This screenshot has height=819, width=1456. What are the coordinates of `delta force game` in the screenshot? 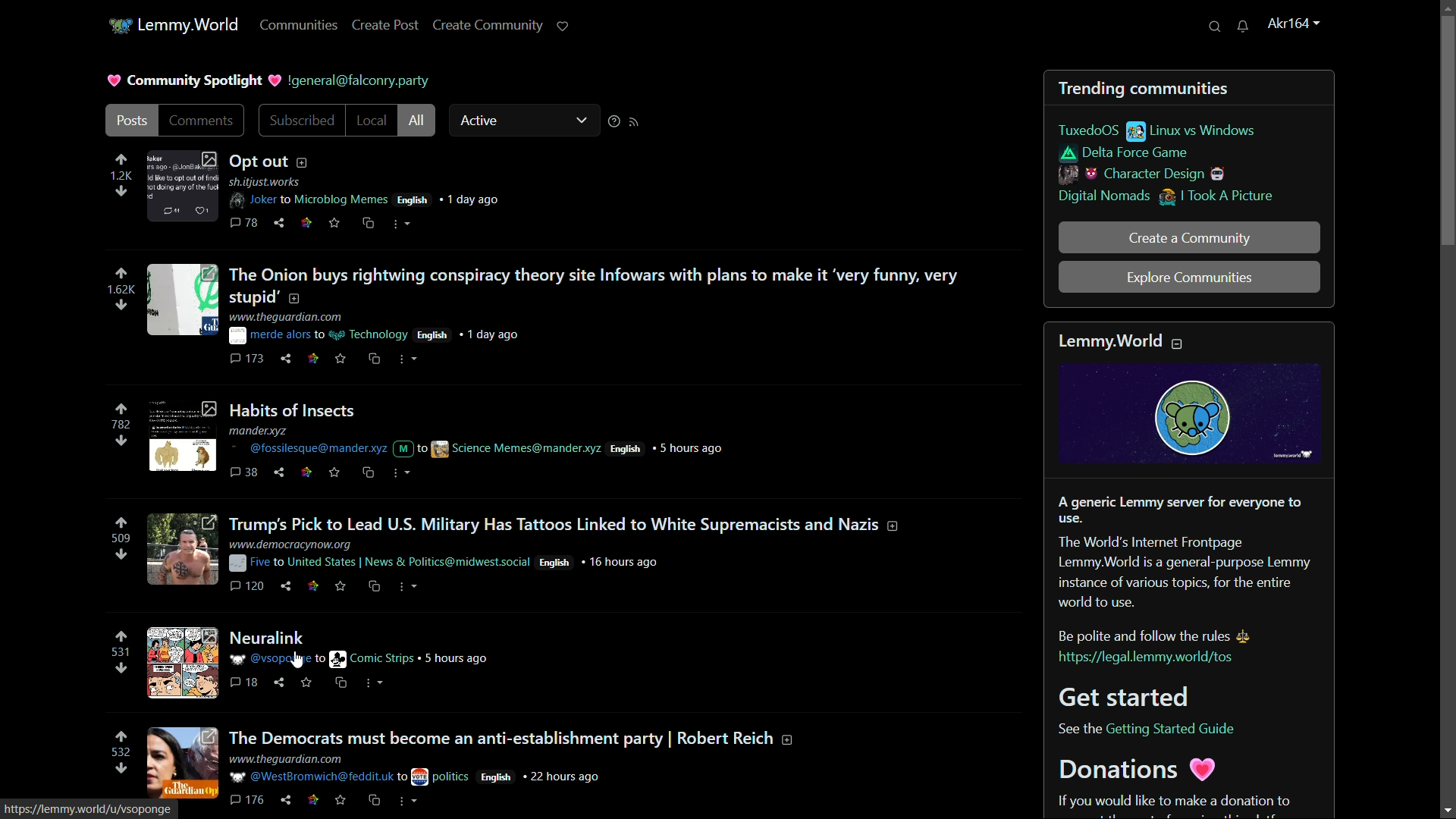 It's located at (1122, 153).